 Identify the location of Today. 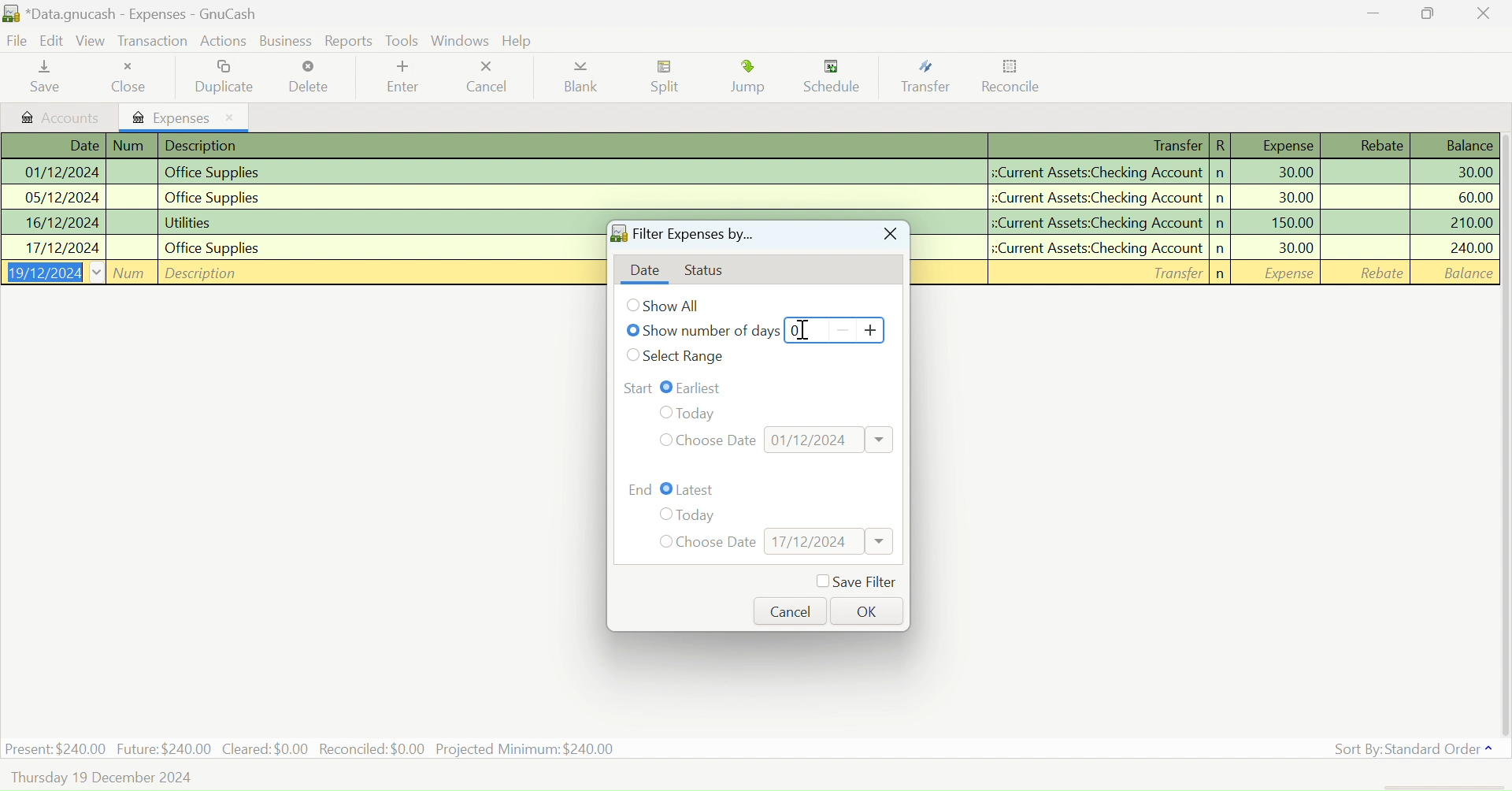
(698, 516).